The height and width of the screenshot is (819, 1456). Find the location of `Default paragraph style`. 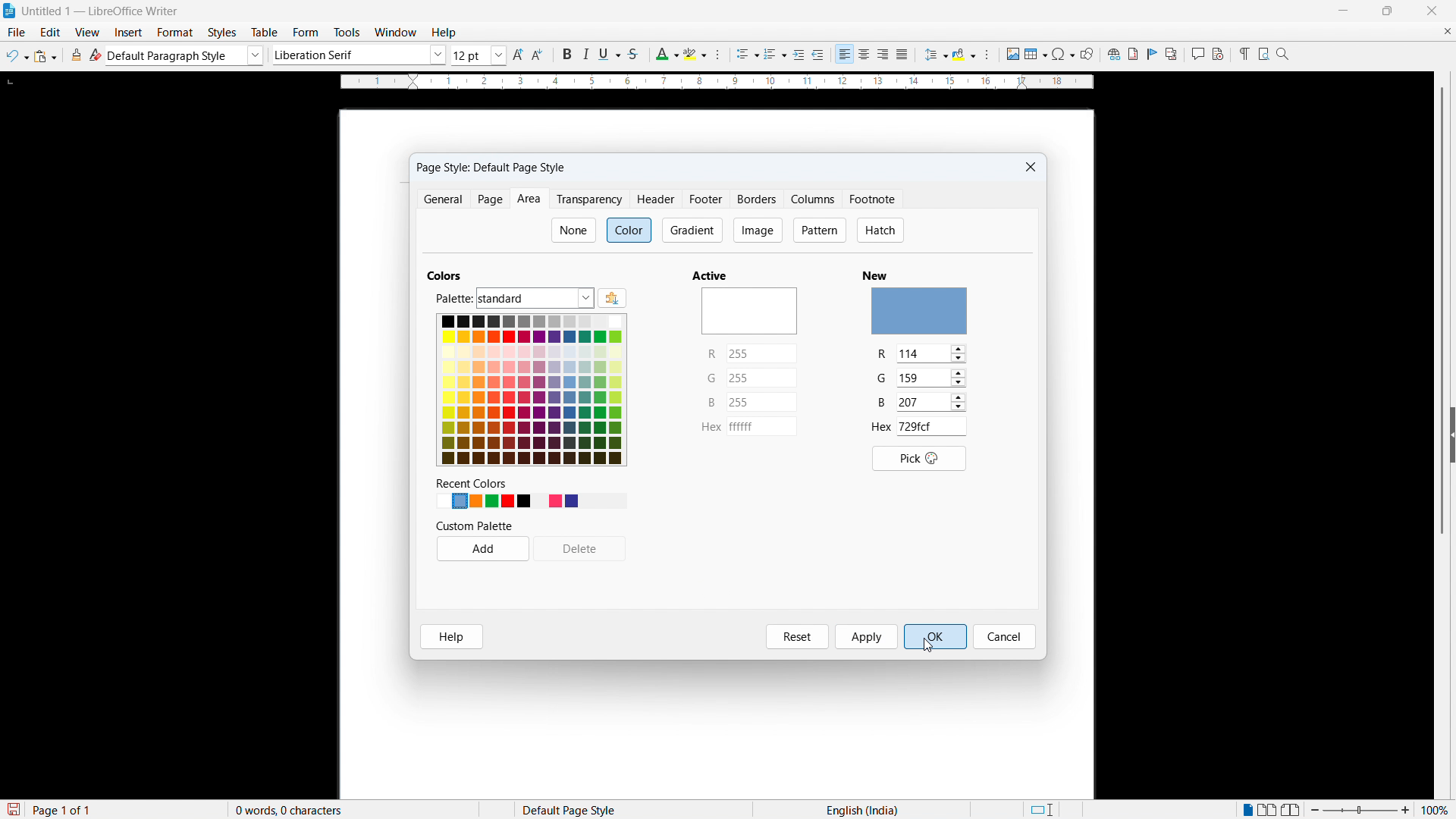

Default paragraph style is located at coordinates (186, 55).